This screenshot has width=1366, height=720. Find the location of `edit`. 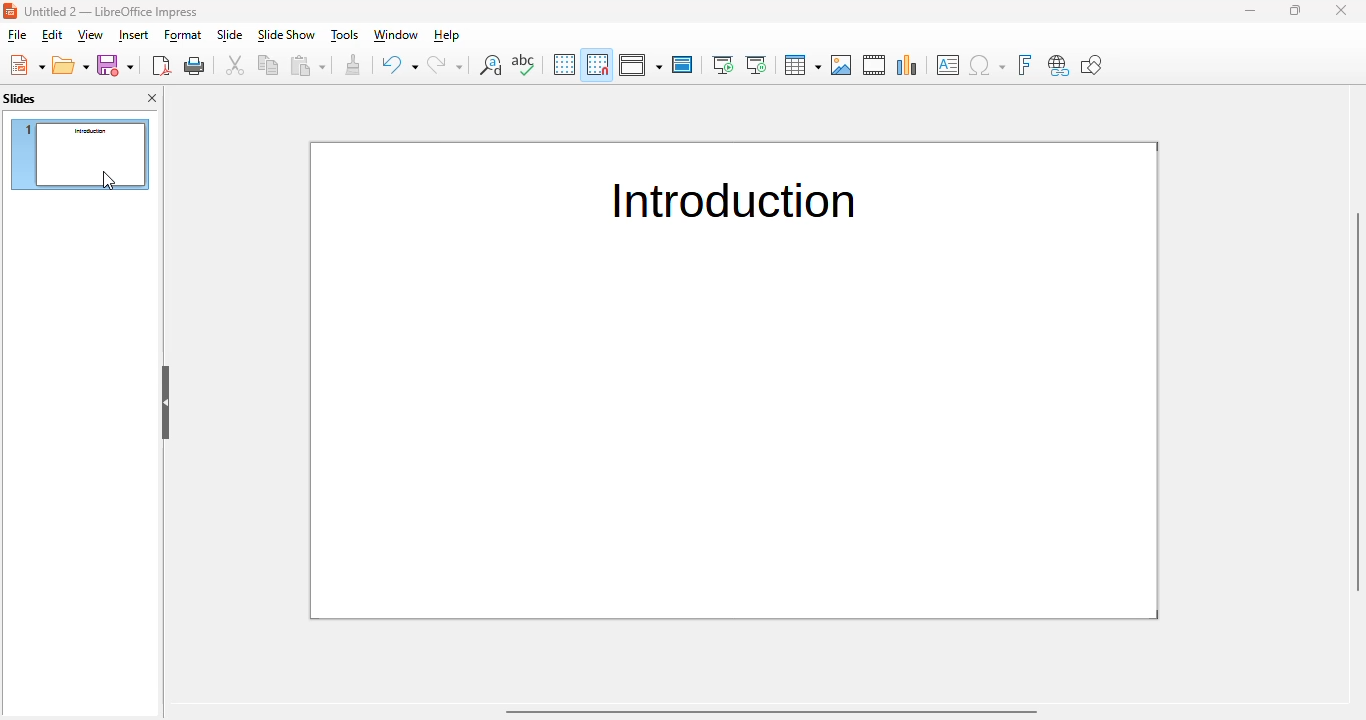

edit is located at coordinates (52, 35).